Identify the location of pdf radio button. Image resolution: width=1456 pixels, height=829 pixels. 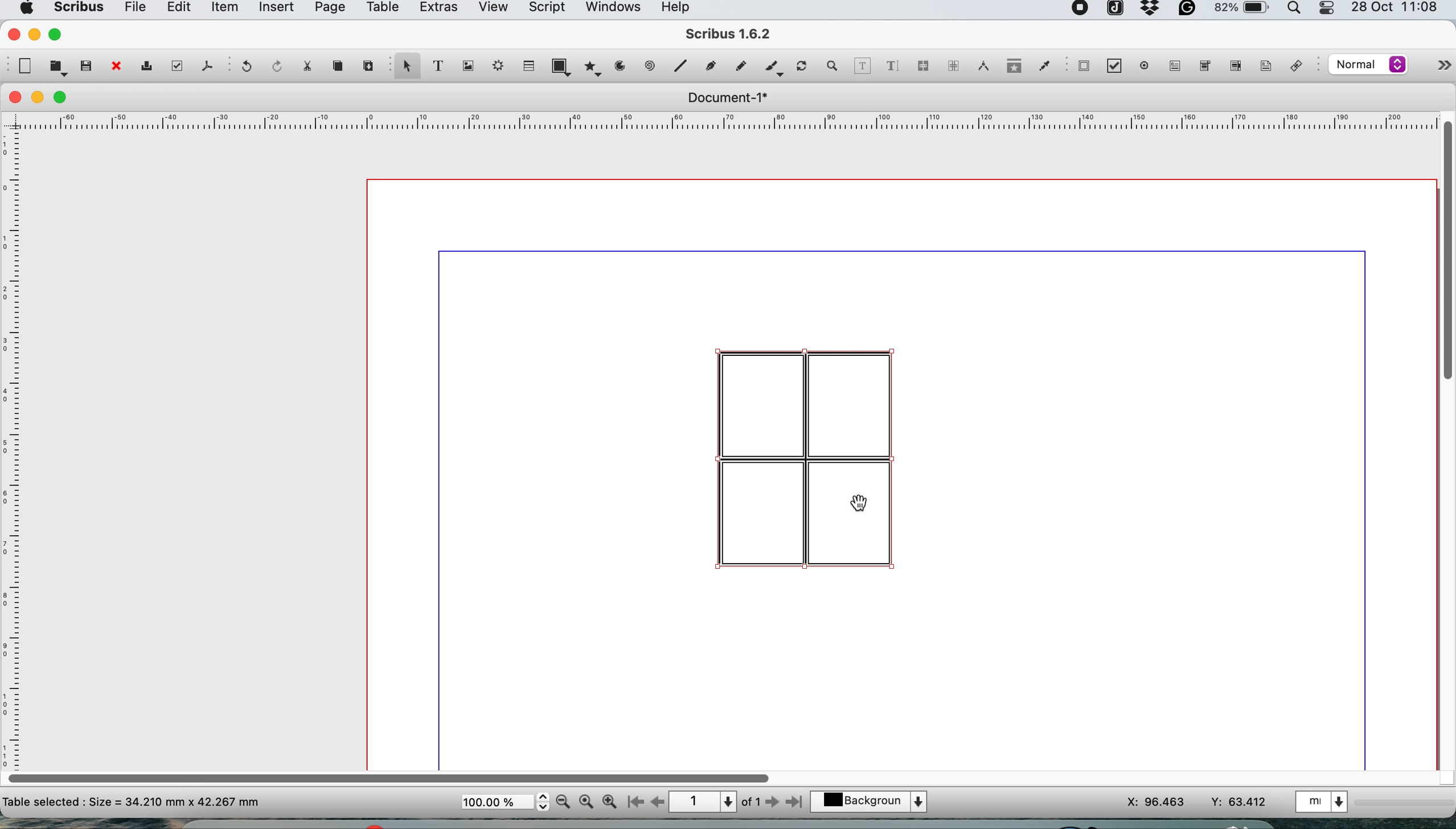
(1145, 65).